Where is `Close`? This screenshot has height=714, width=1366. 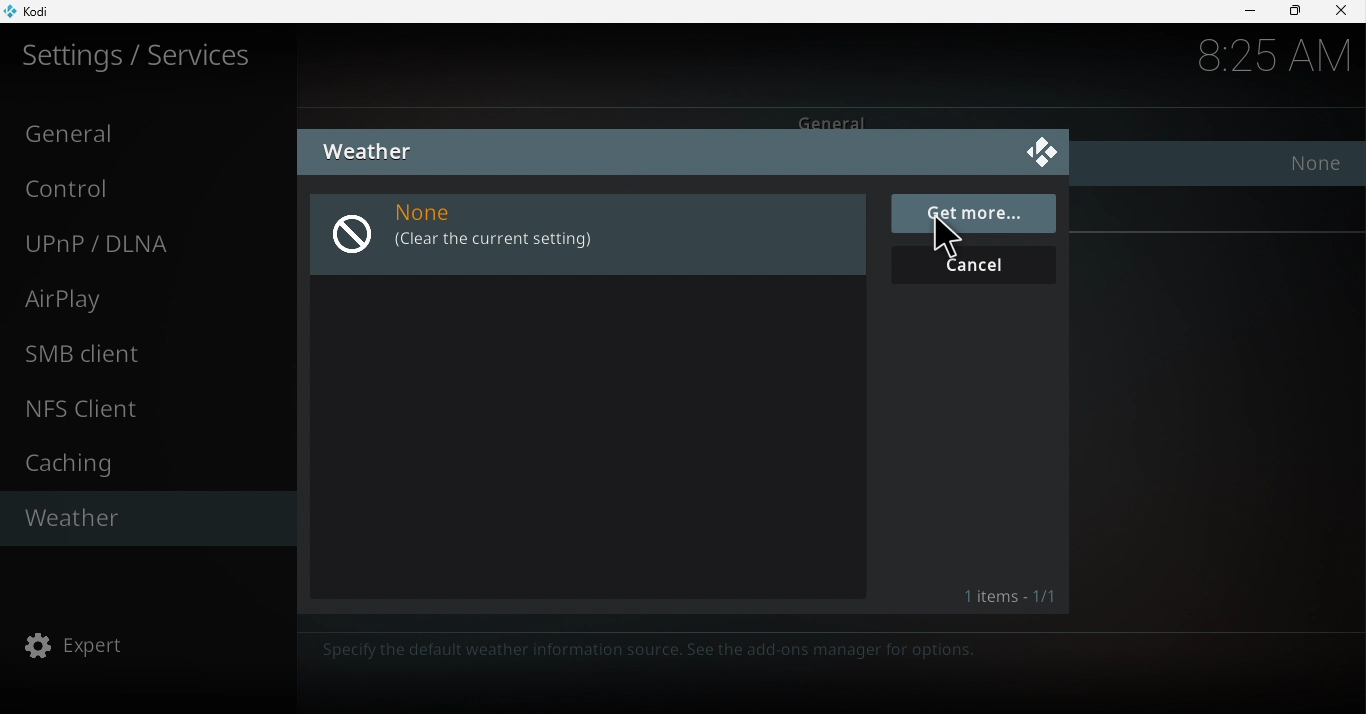
Close is located at coordinates (1345, 10).